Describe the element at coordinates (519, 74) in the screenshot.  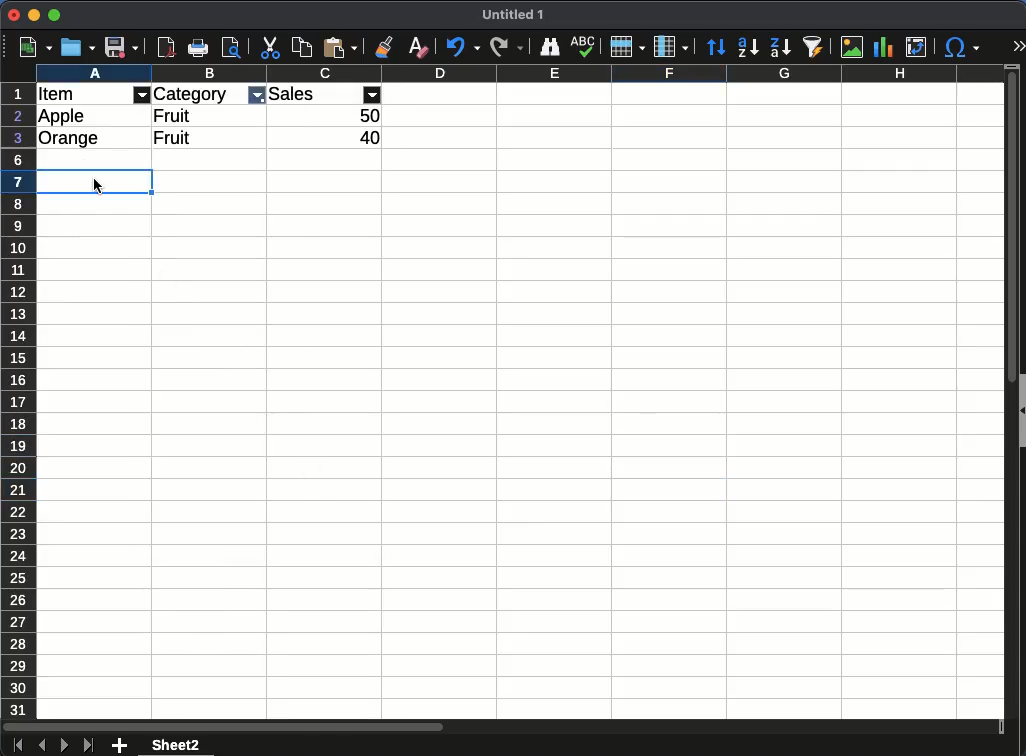
I see `column` at that location.